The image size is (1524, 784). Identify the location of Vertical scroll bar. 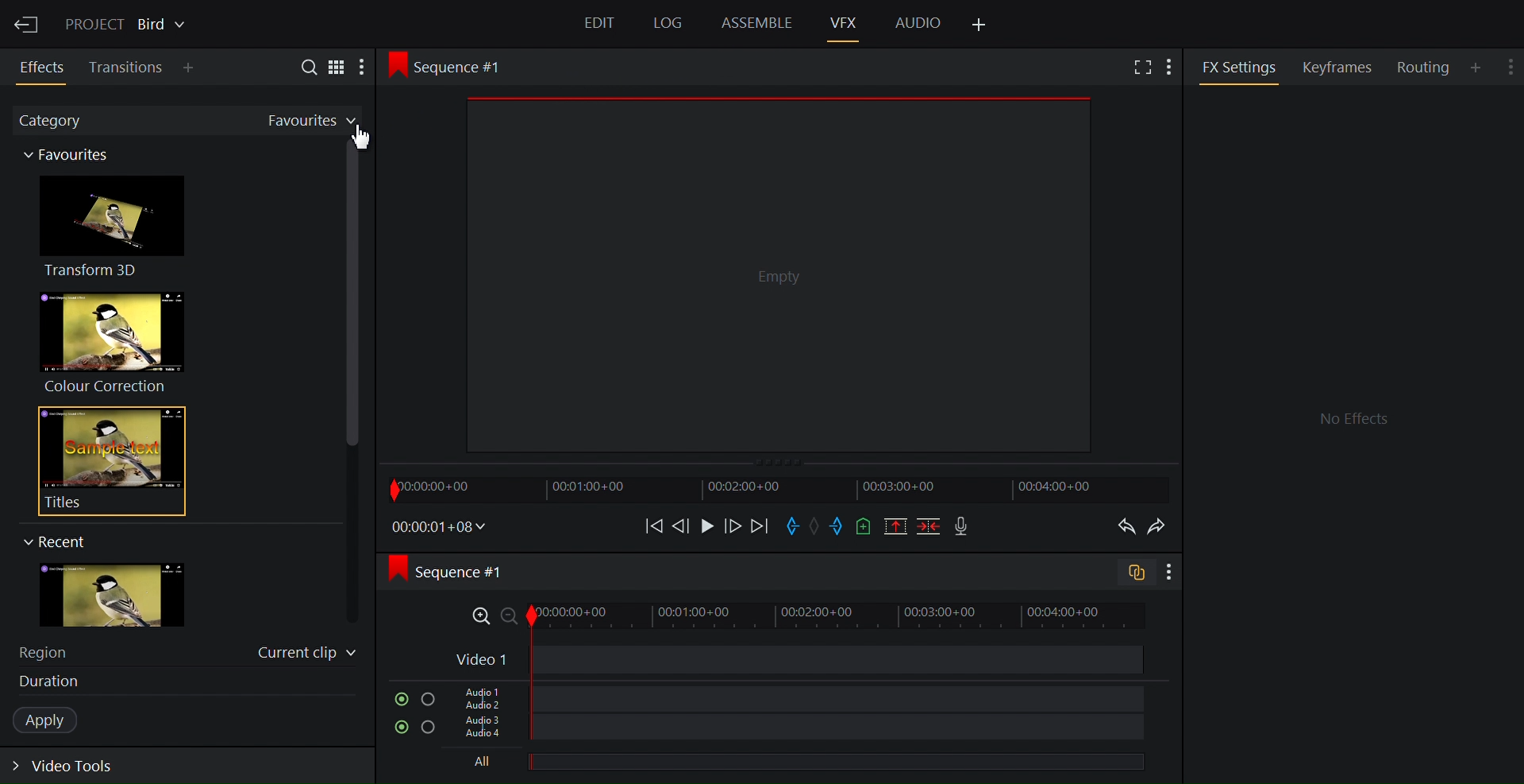
(354, 306).